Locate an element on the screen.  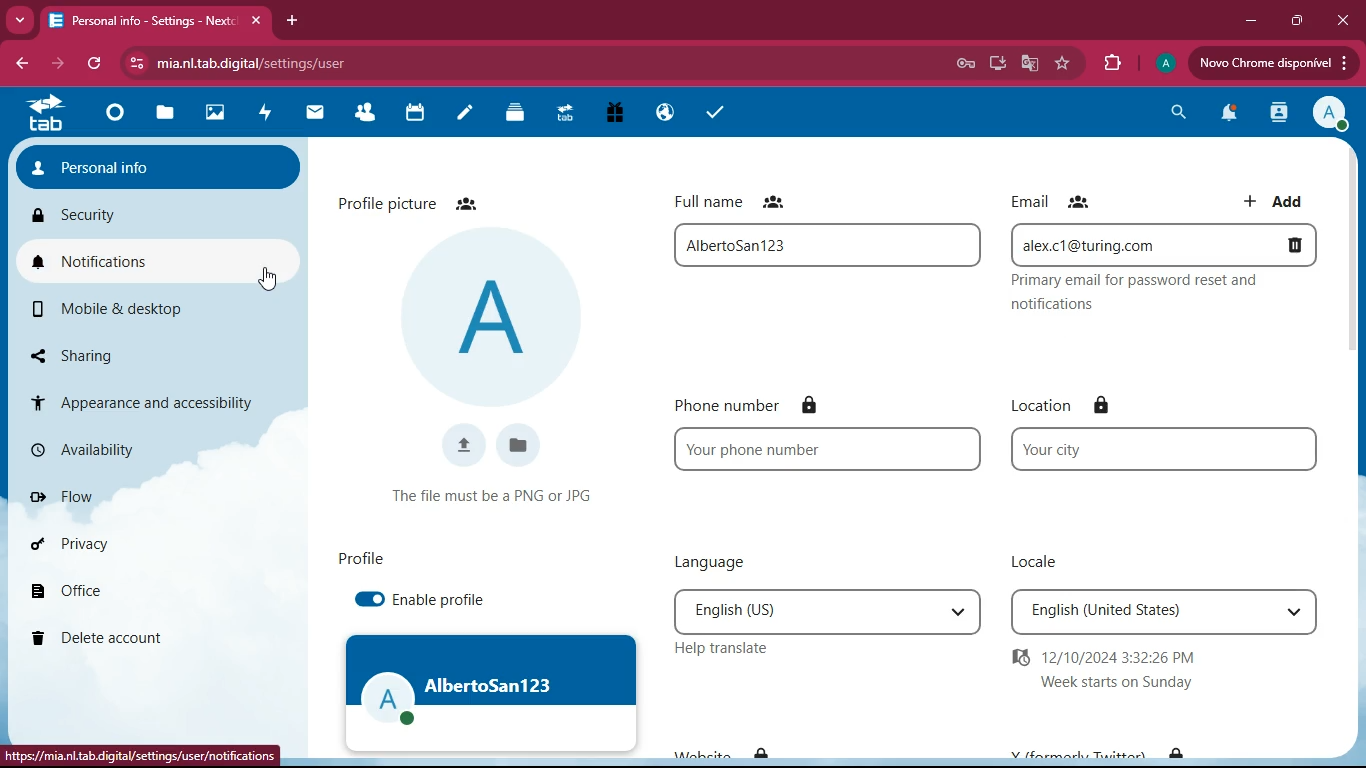
activity is located at coordinates (1275, 112).